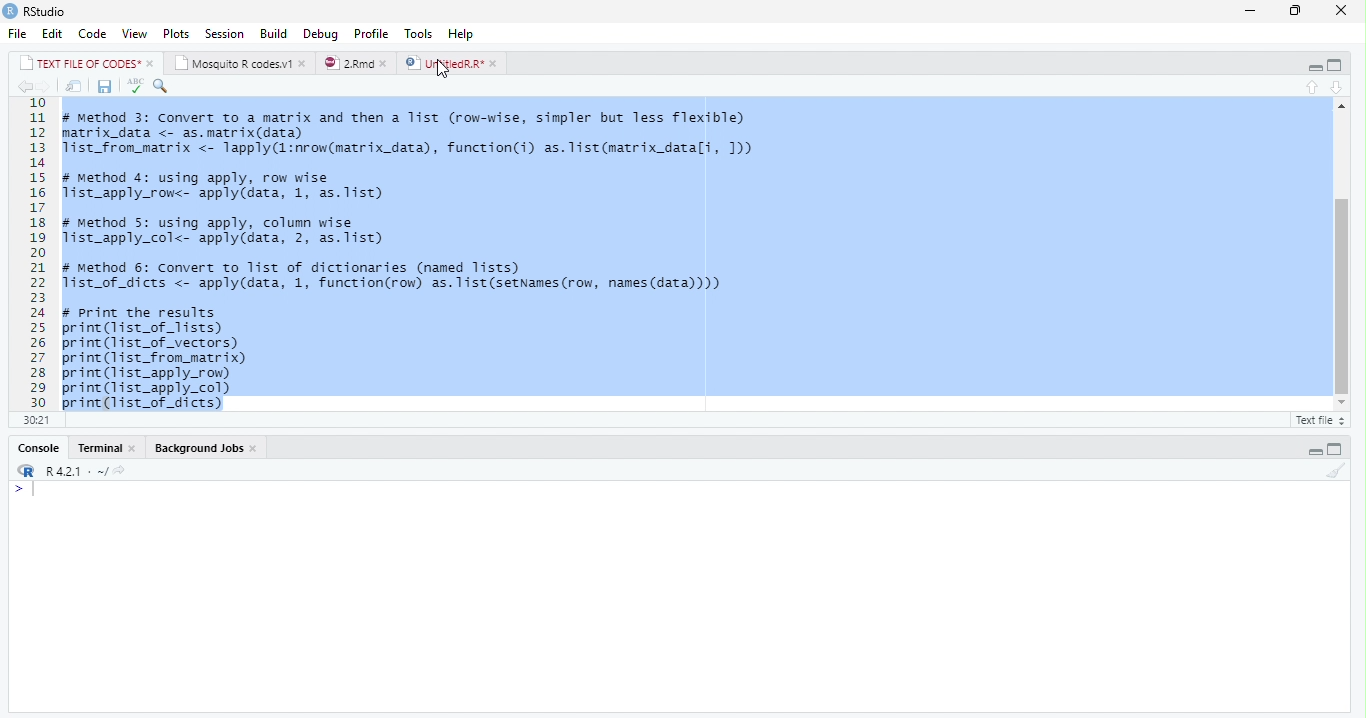 The width and height of the screenshot is (1366, 718). I want to click on Build, so click(272, 33).